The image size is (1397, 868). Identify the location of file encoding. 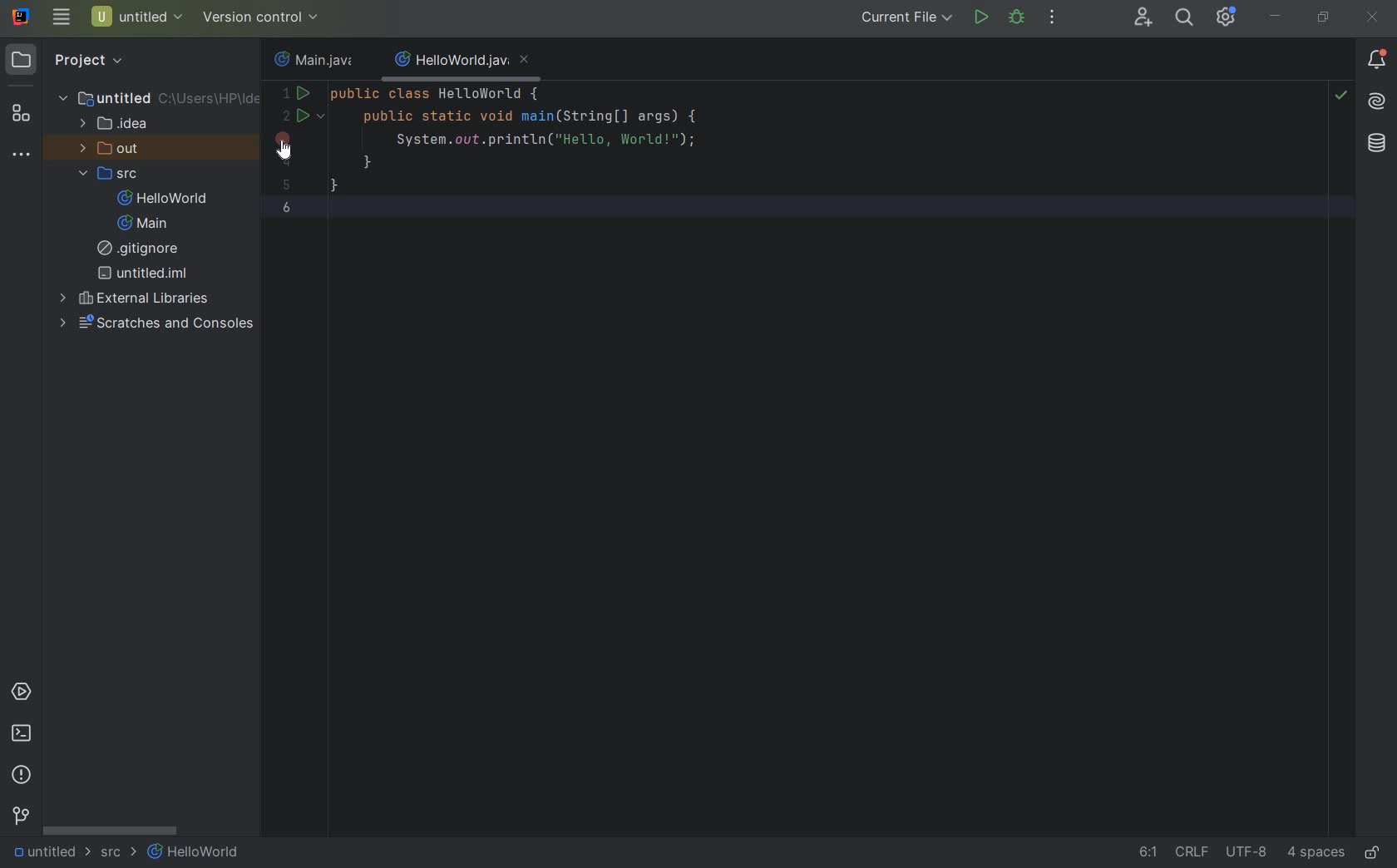
(1247, 854).